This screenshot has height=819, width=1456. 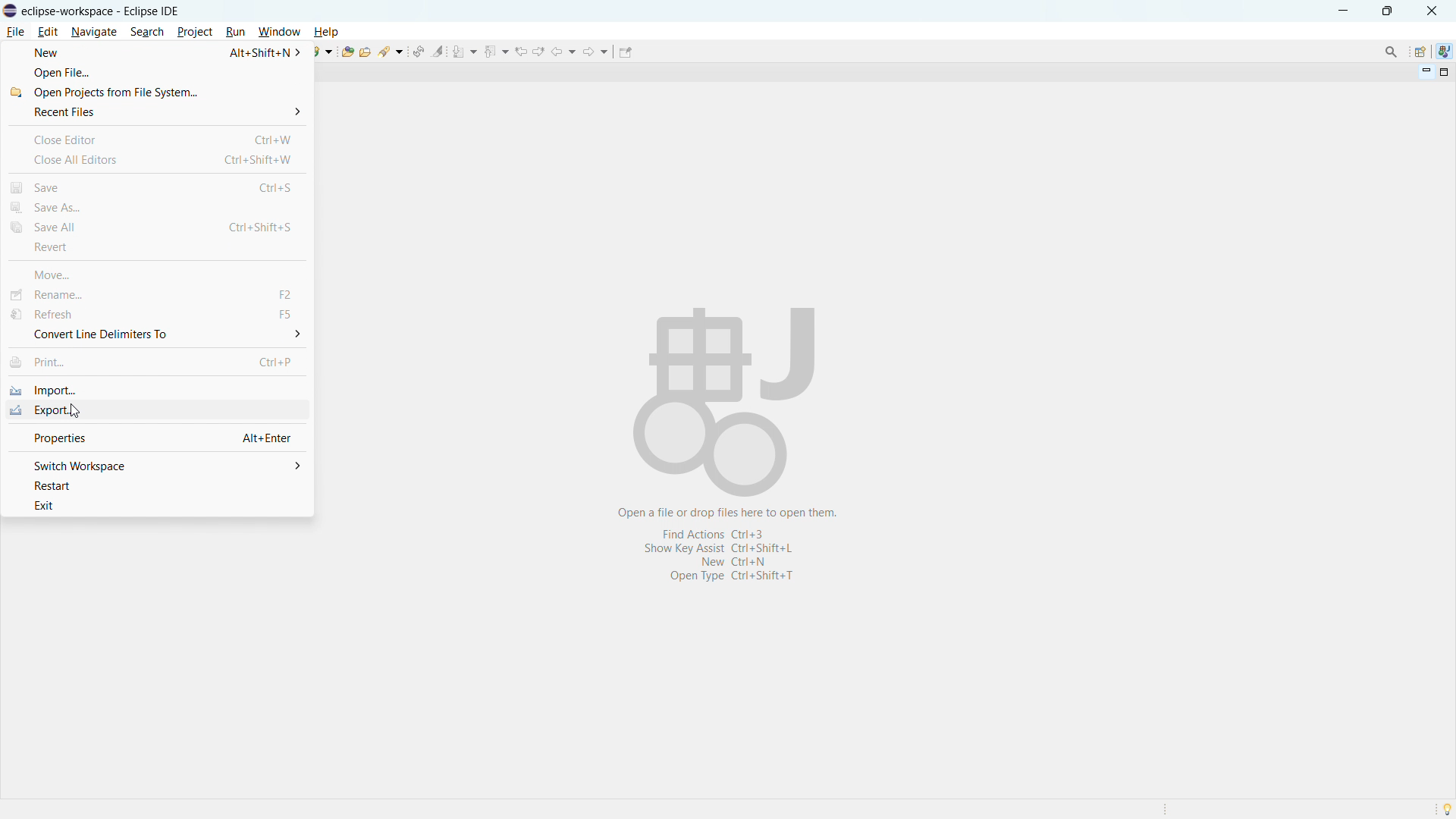 What do you see at coordinates (521, 52) in the screenshot?
I see `view previous location` at bounding box center [521, 52].